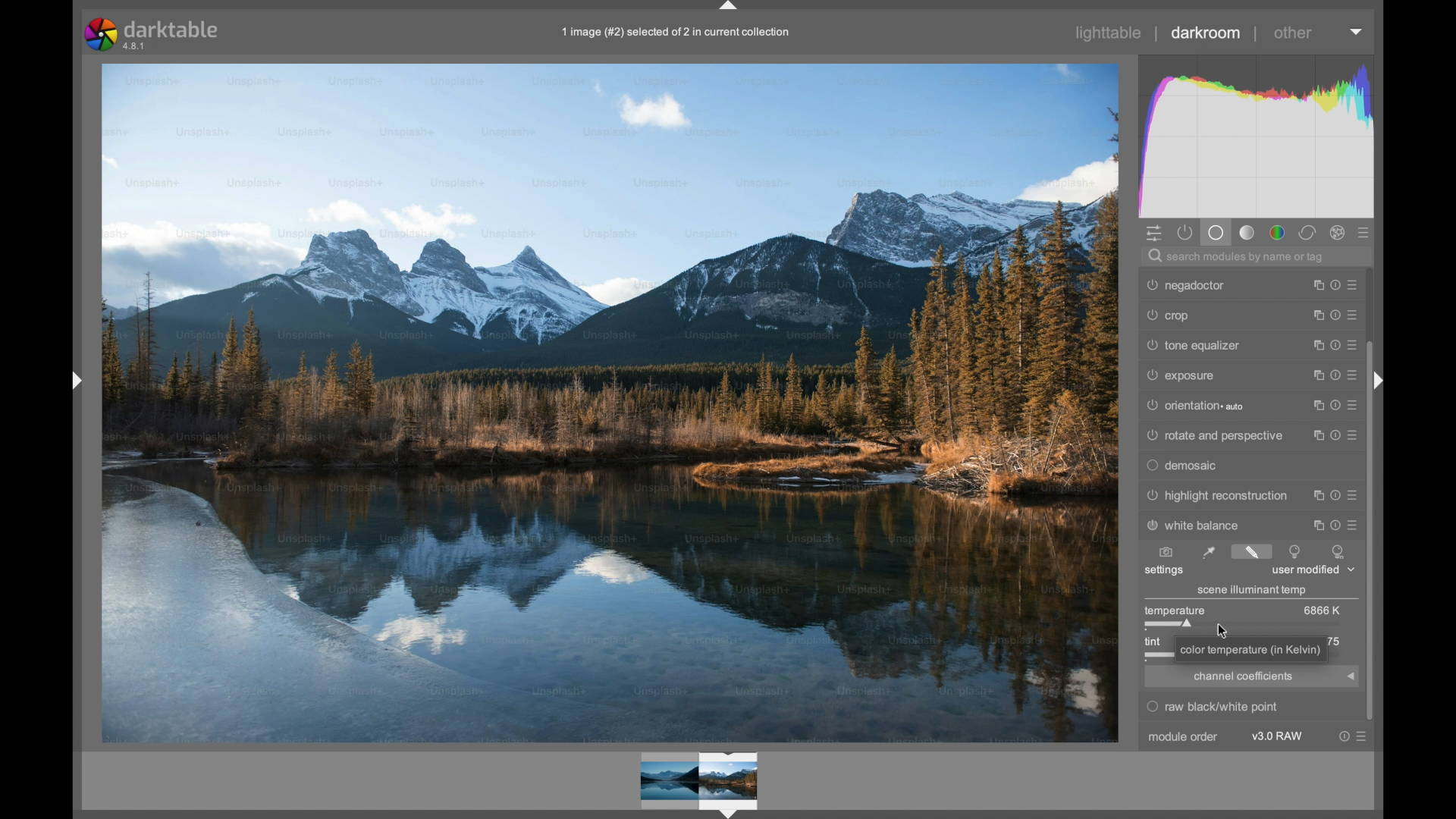  I want to click on reset parameters, so click(1334, 312).